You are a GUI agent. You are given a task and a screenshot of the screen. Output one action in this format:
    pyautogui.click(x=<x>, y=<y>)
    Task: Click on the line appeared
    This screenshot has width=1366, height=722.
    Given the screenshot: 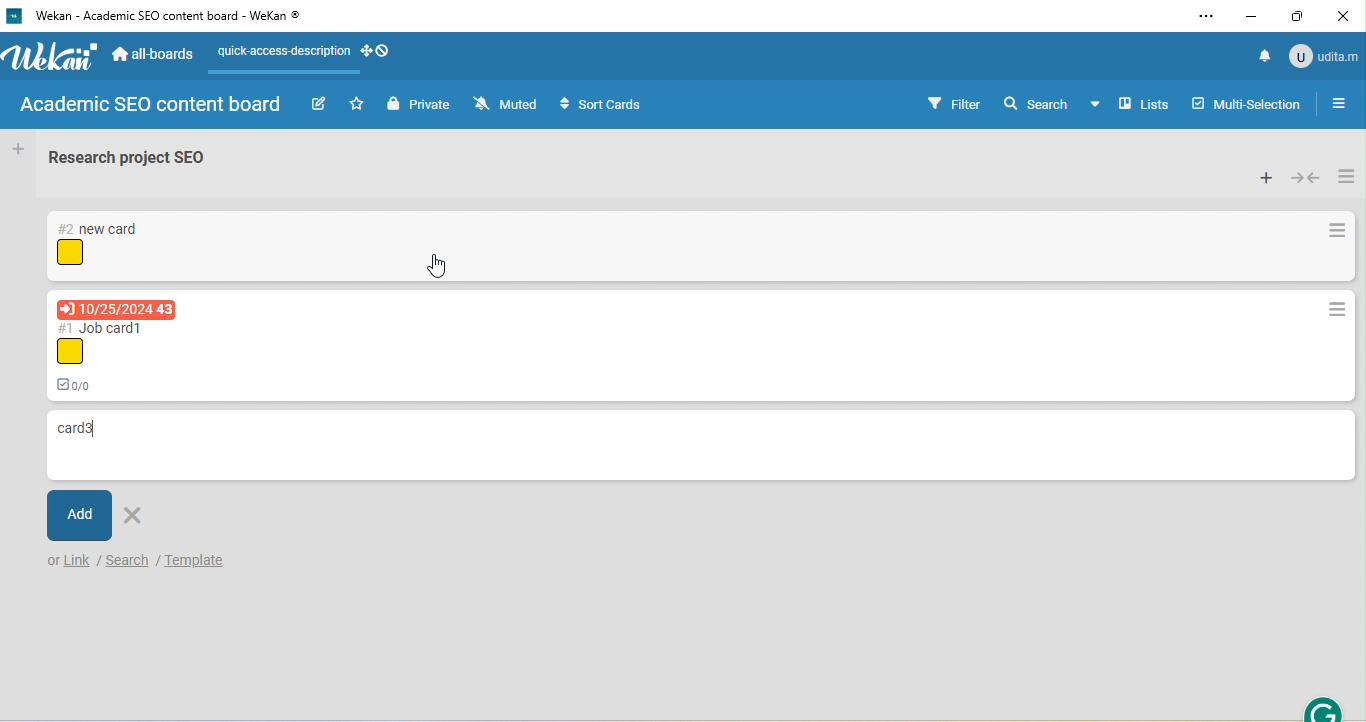 What is the action you would take?
    pyautogui.click(x=295, y=73)
    